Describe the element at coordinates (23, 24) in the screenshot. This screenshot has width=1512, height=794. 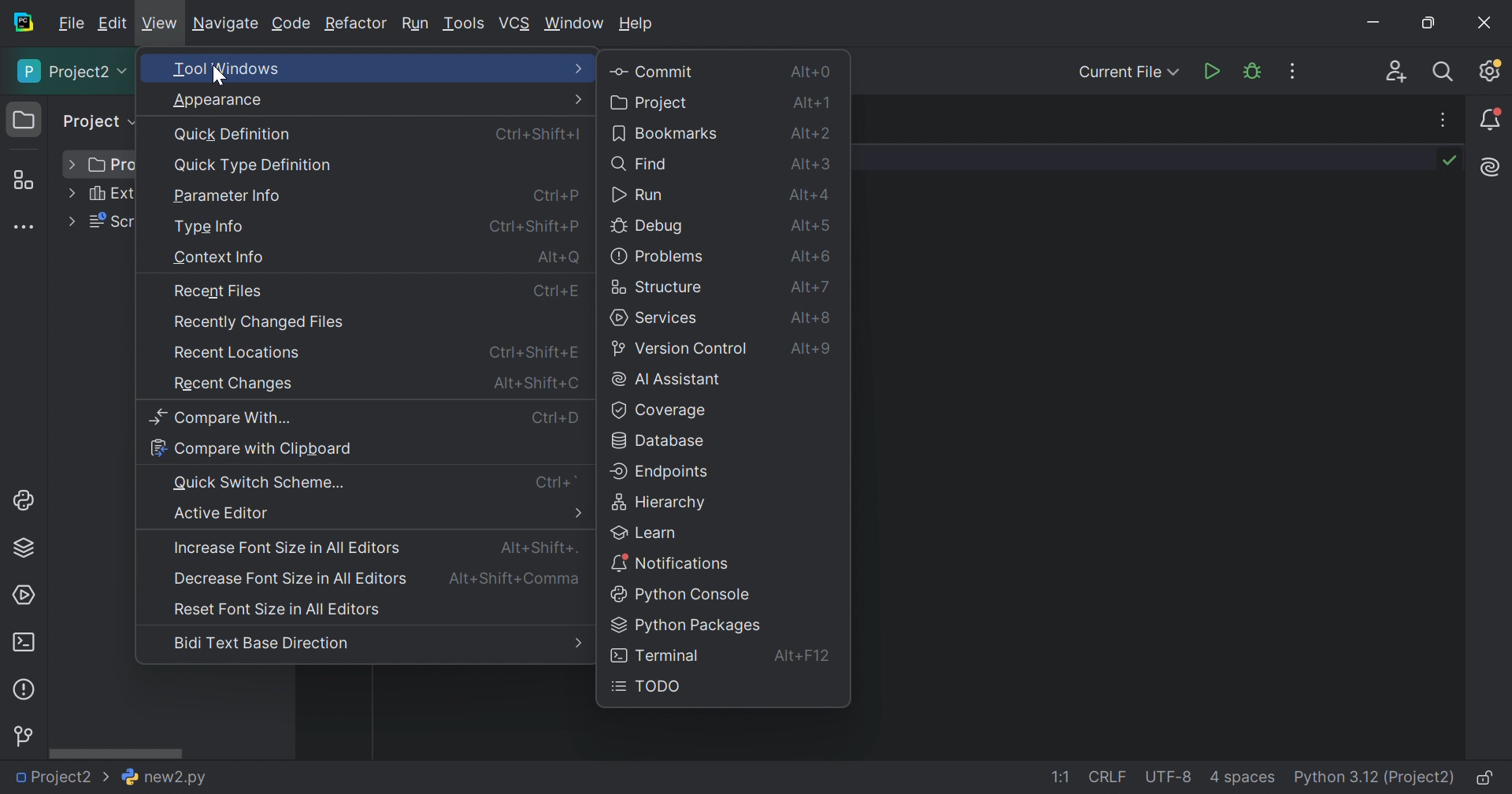
I see `PyCharm` at that location.